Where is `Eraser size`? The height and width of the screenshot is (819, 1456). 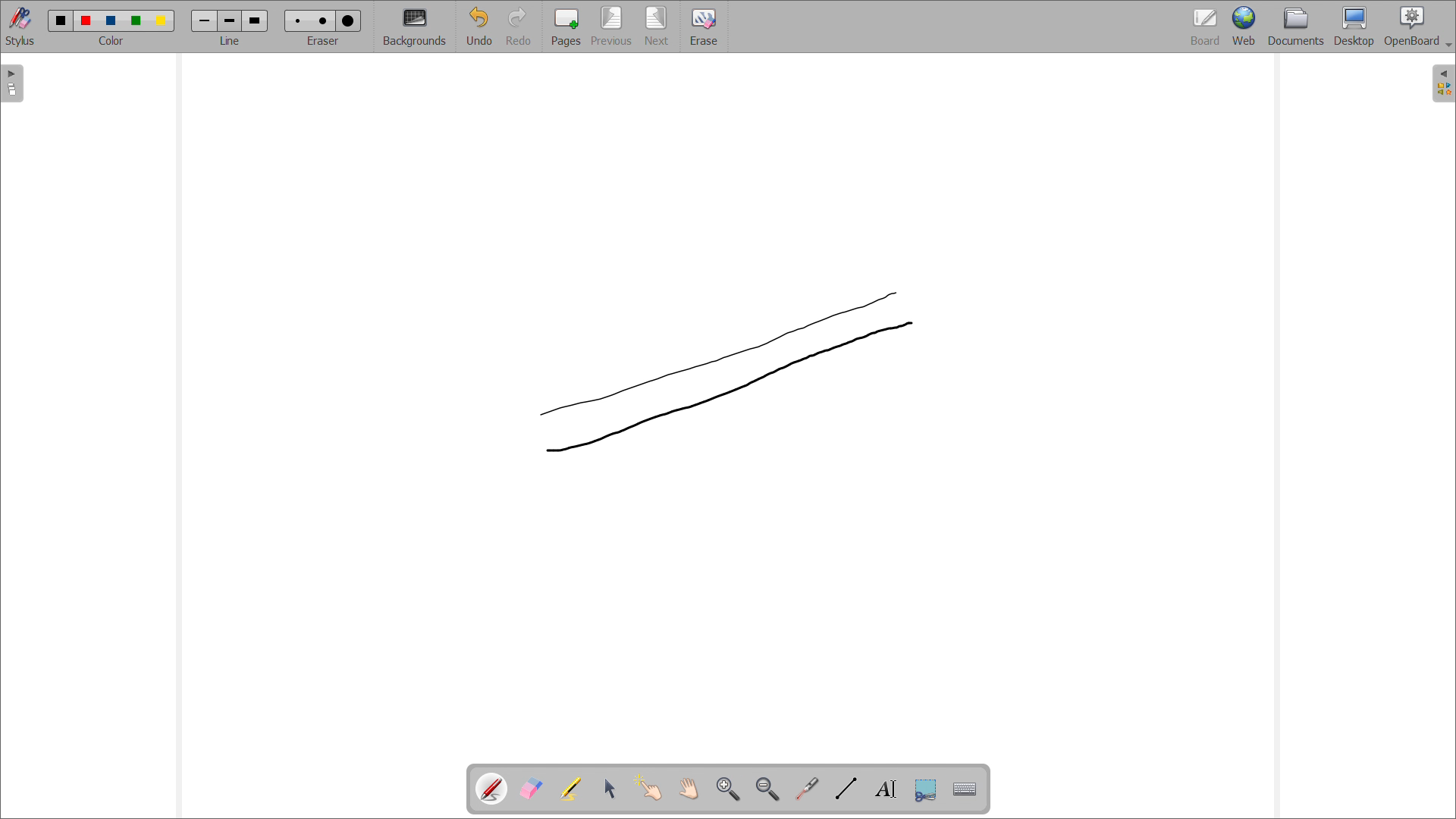 Eraser size is located at coordinates (299, 20).